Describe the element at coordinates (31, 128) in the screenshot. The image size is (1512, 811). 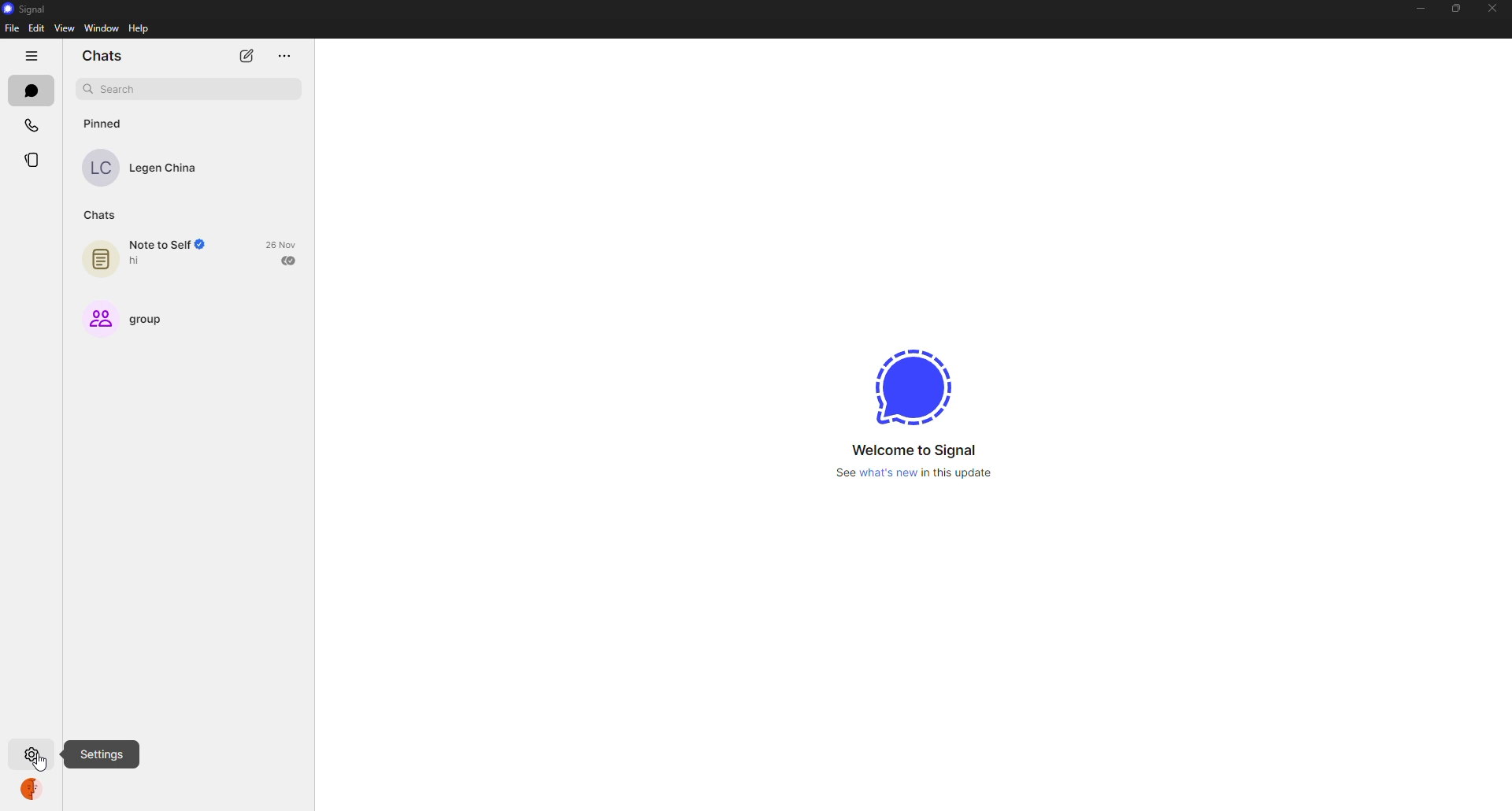
I see `calls` at that location.